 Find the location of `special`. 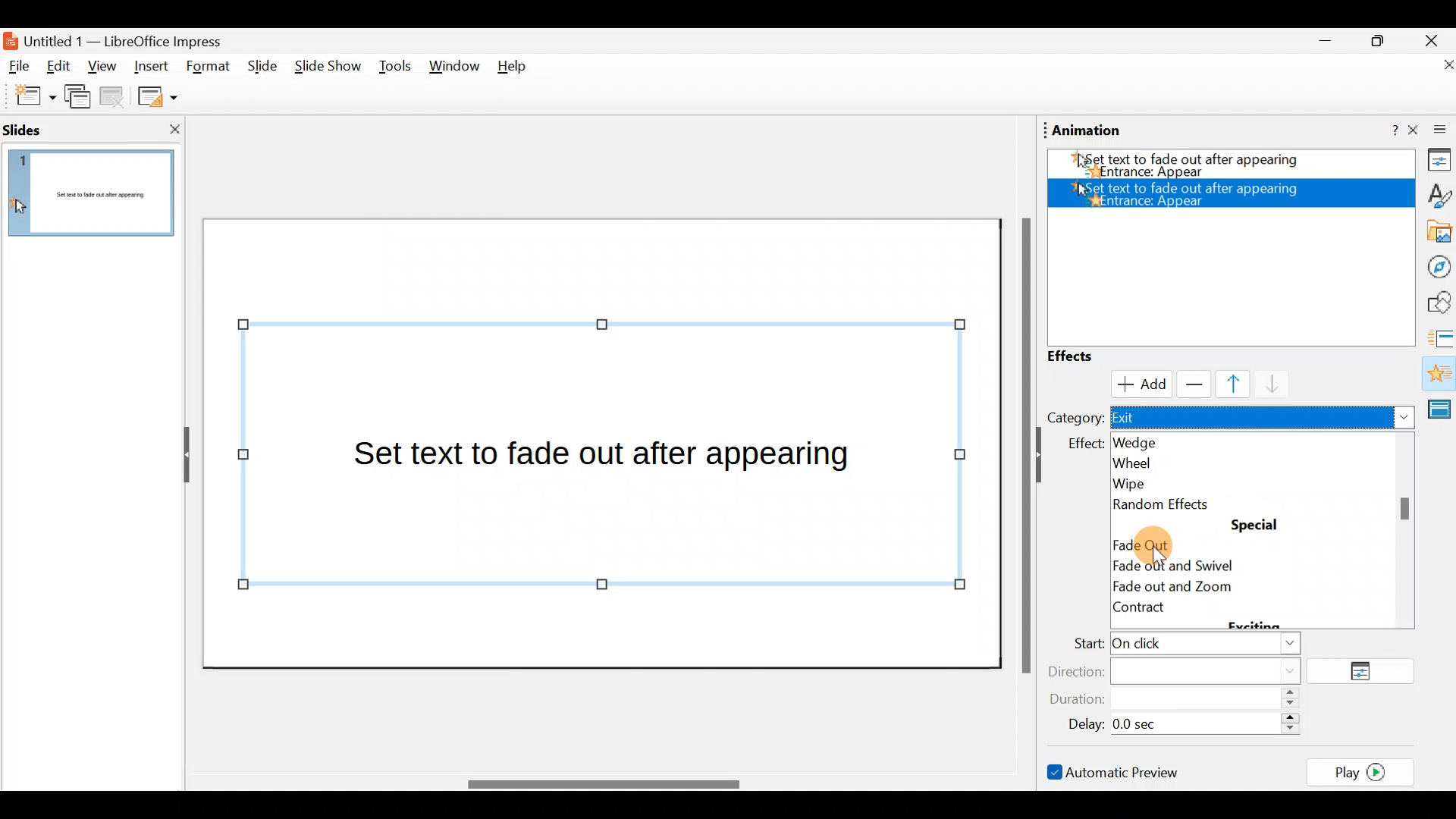

special is located at coordinates (1258, 525).